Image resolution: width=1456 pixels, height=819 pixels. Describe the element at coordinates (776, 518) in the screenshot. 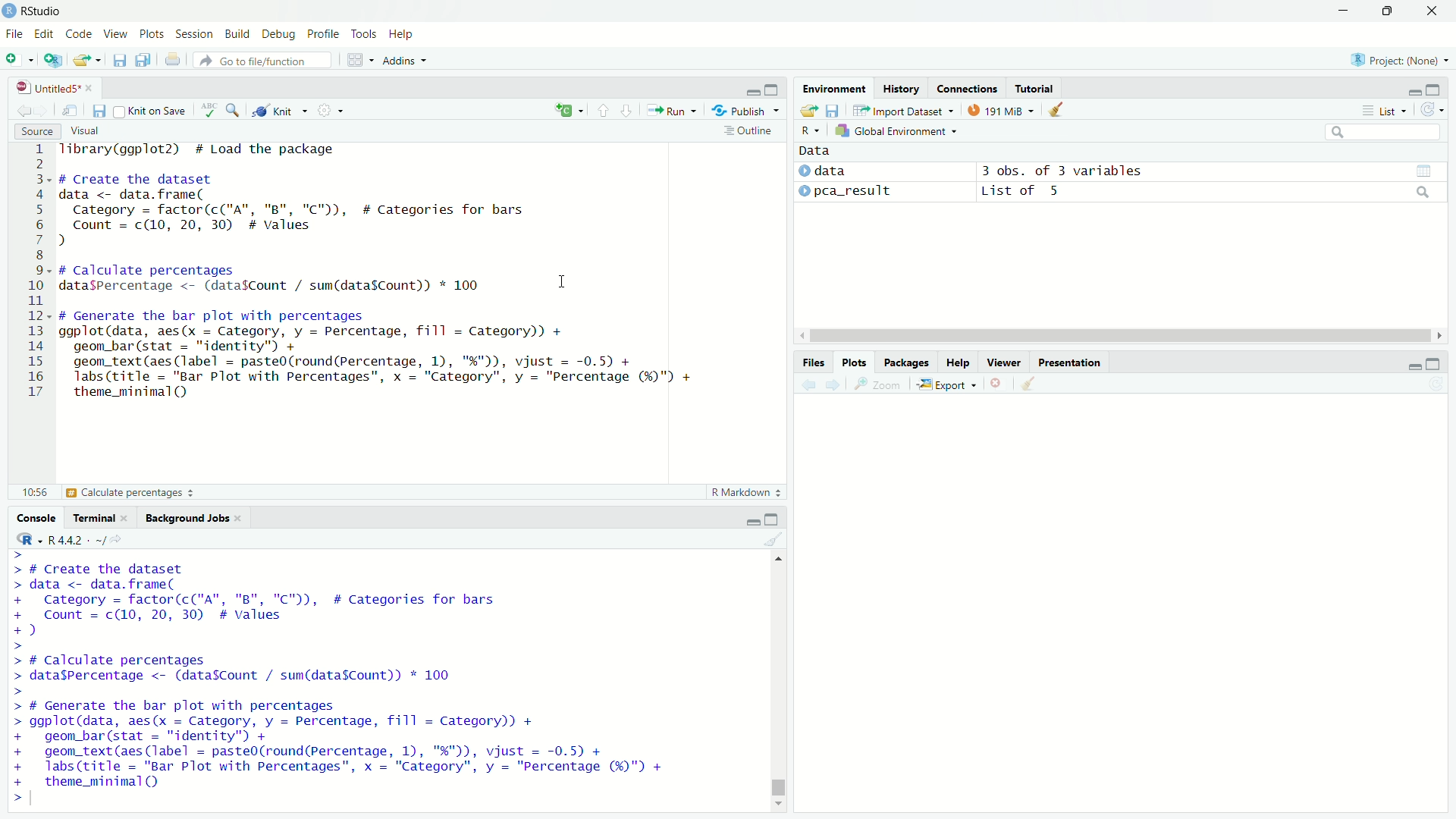

I see `maximize` at that location.